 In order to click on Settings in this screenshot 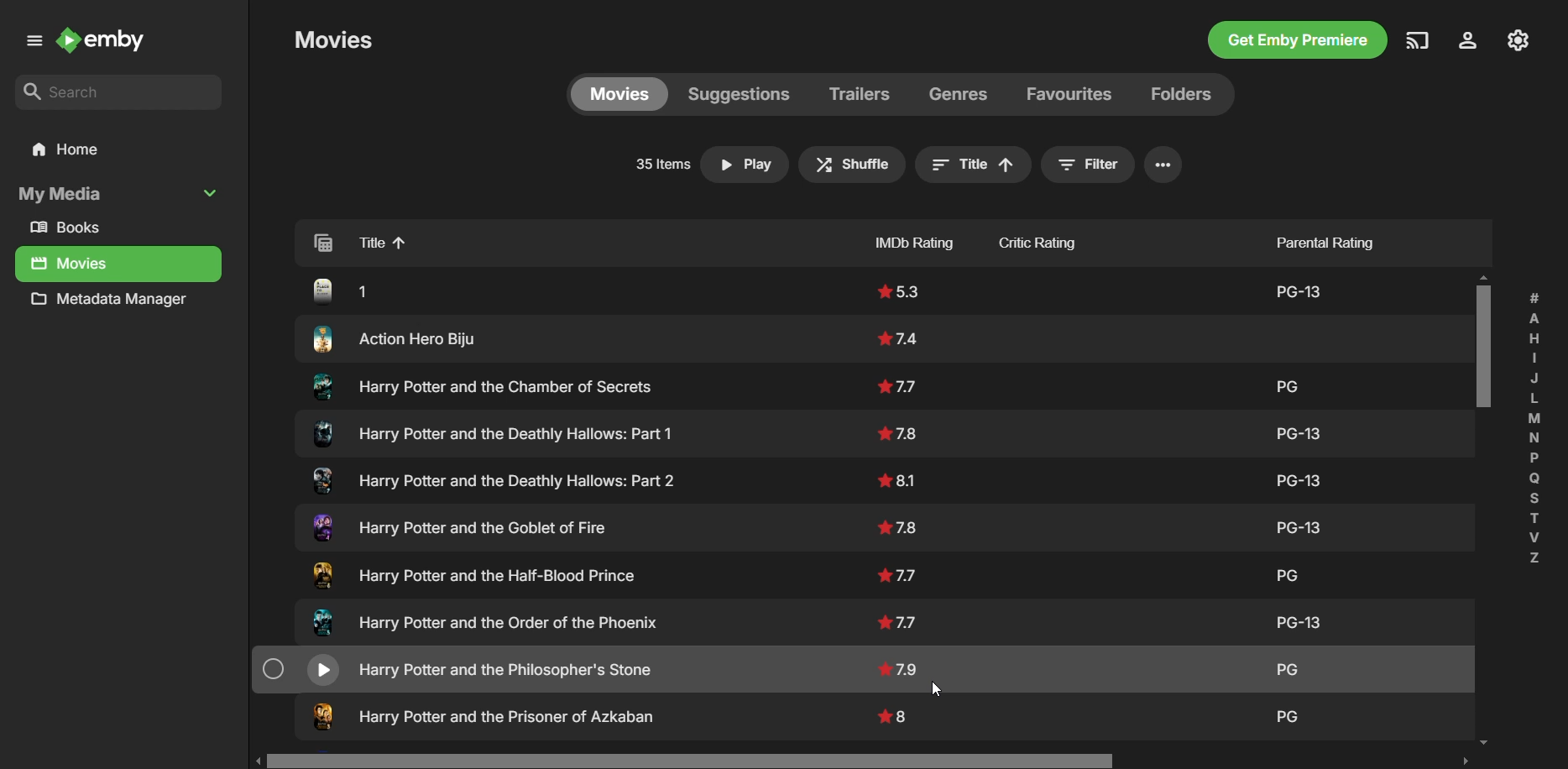, I will do `click(1465, 42)`.